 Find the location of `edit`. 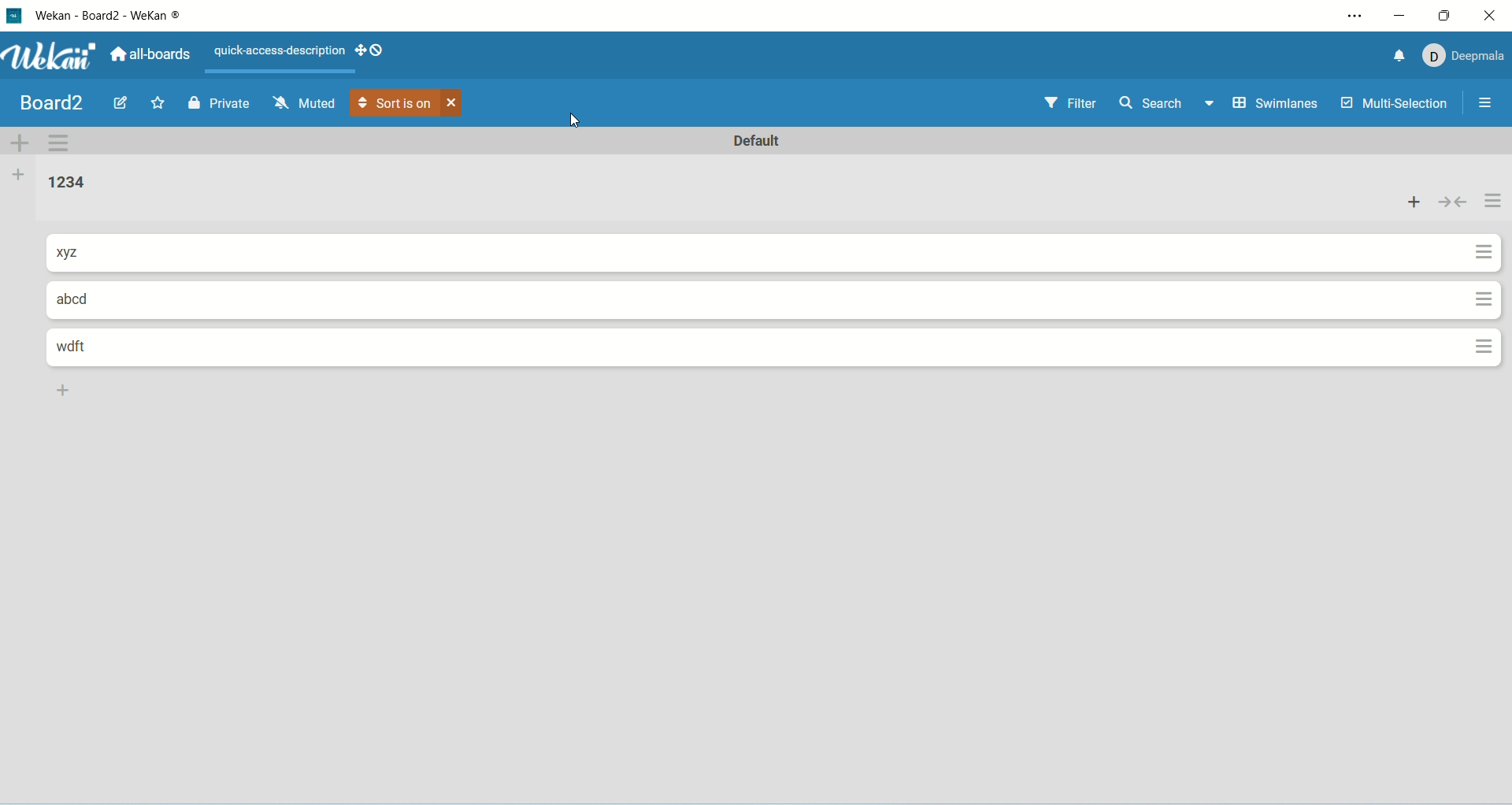

edit is located at coordinates (120, 101).